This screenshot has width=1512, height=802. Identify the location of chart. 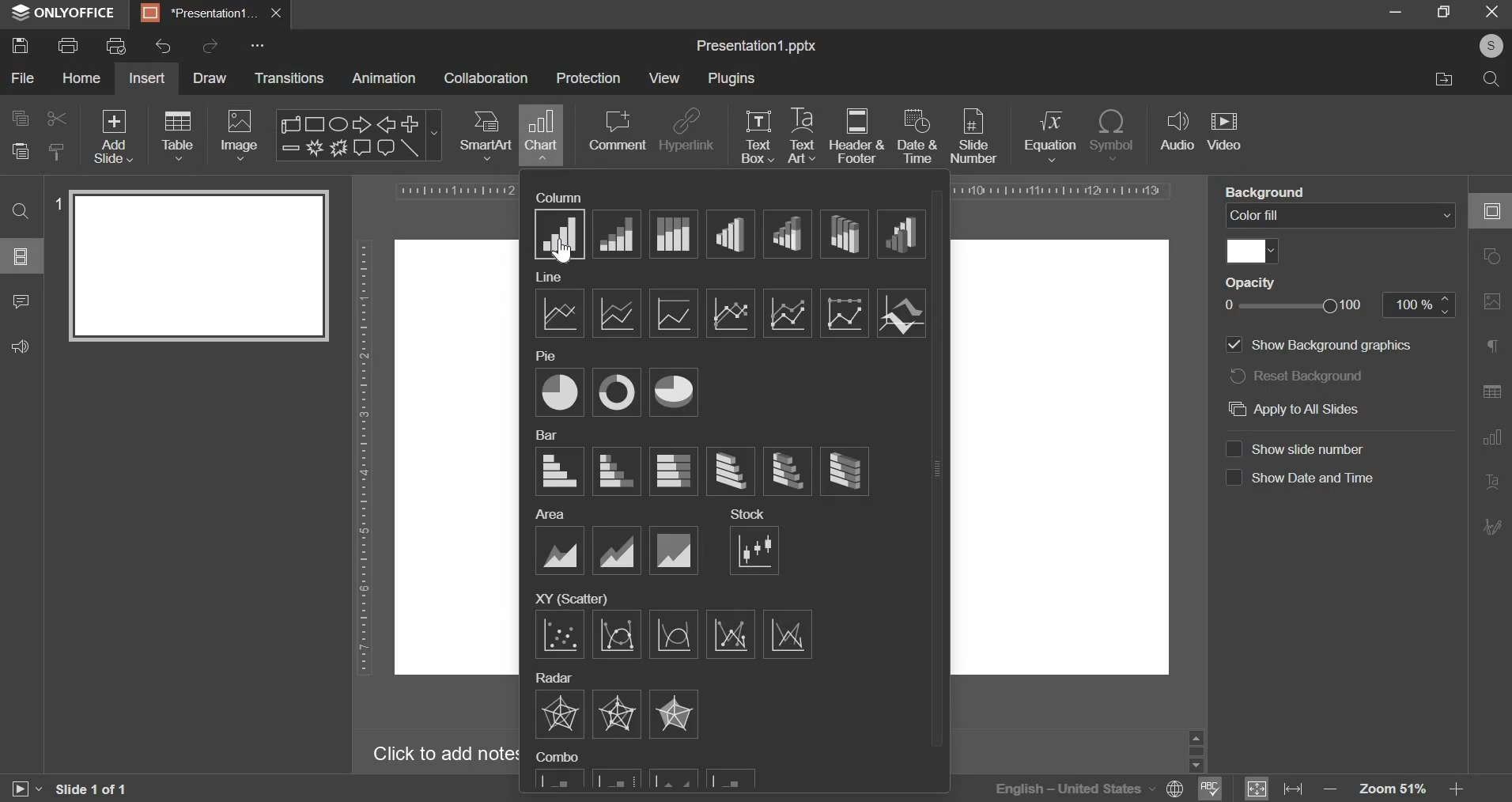
(543, 135).